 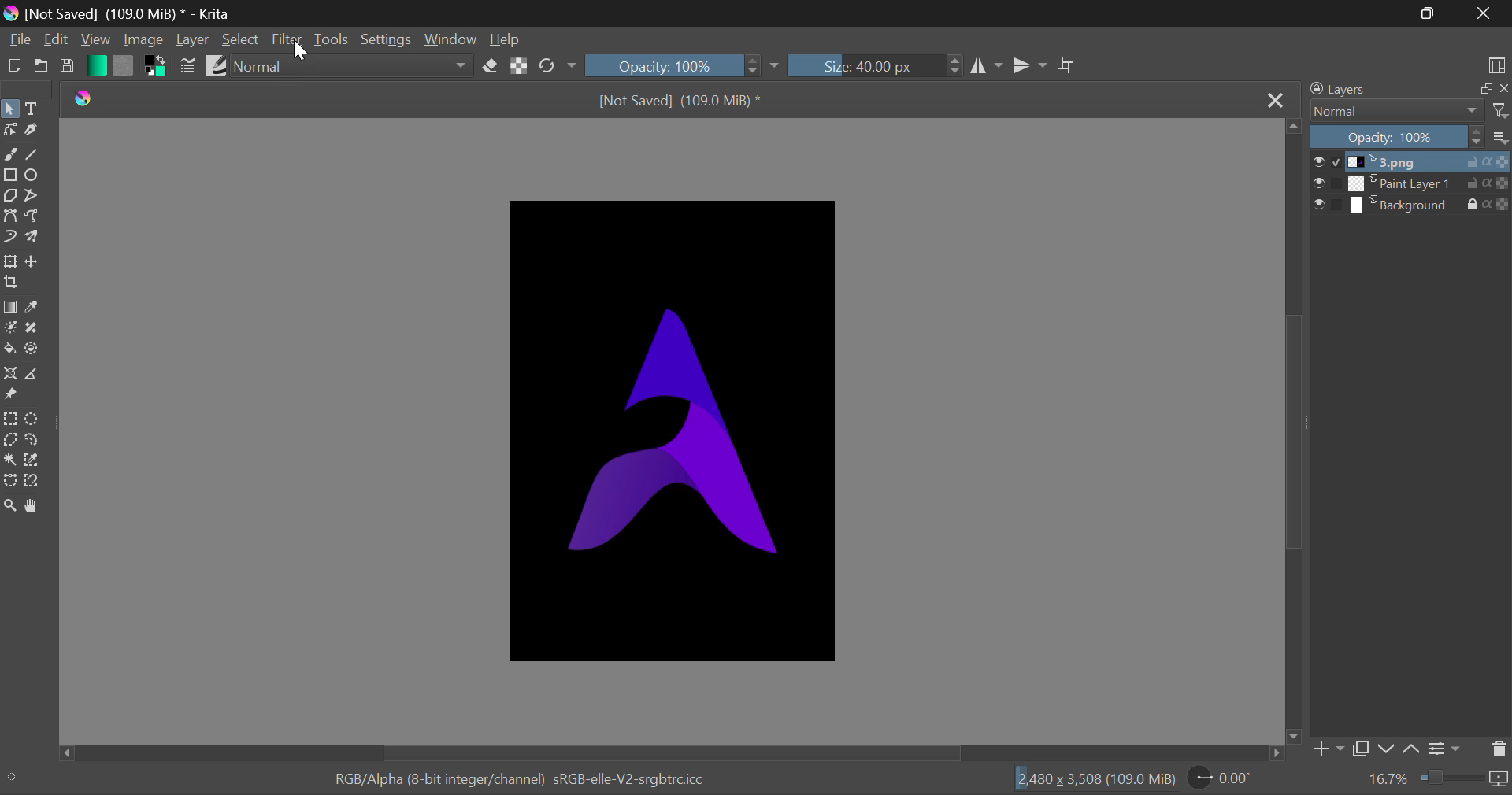 What do you see at coordinates (94, 39) in the screenshot?
I see `View` at bounding box center [94, 39].